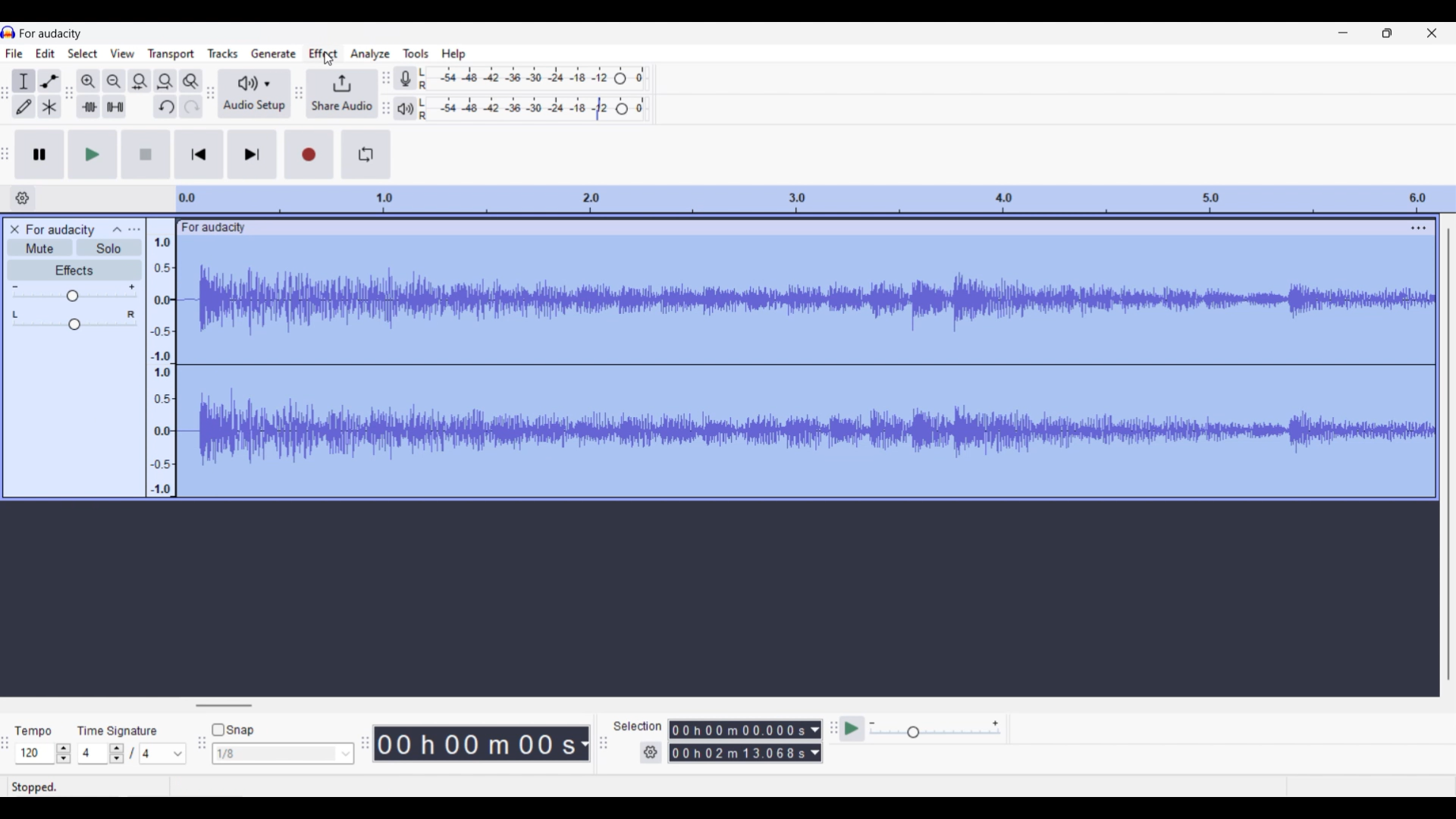 The height and width of the screenshot is (819, 1456). Describe the element at coordinates (224, 705) in the screenshot. I see `Horizontal slide bar` at that location.